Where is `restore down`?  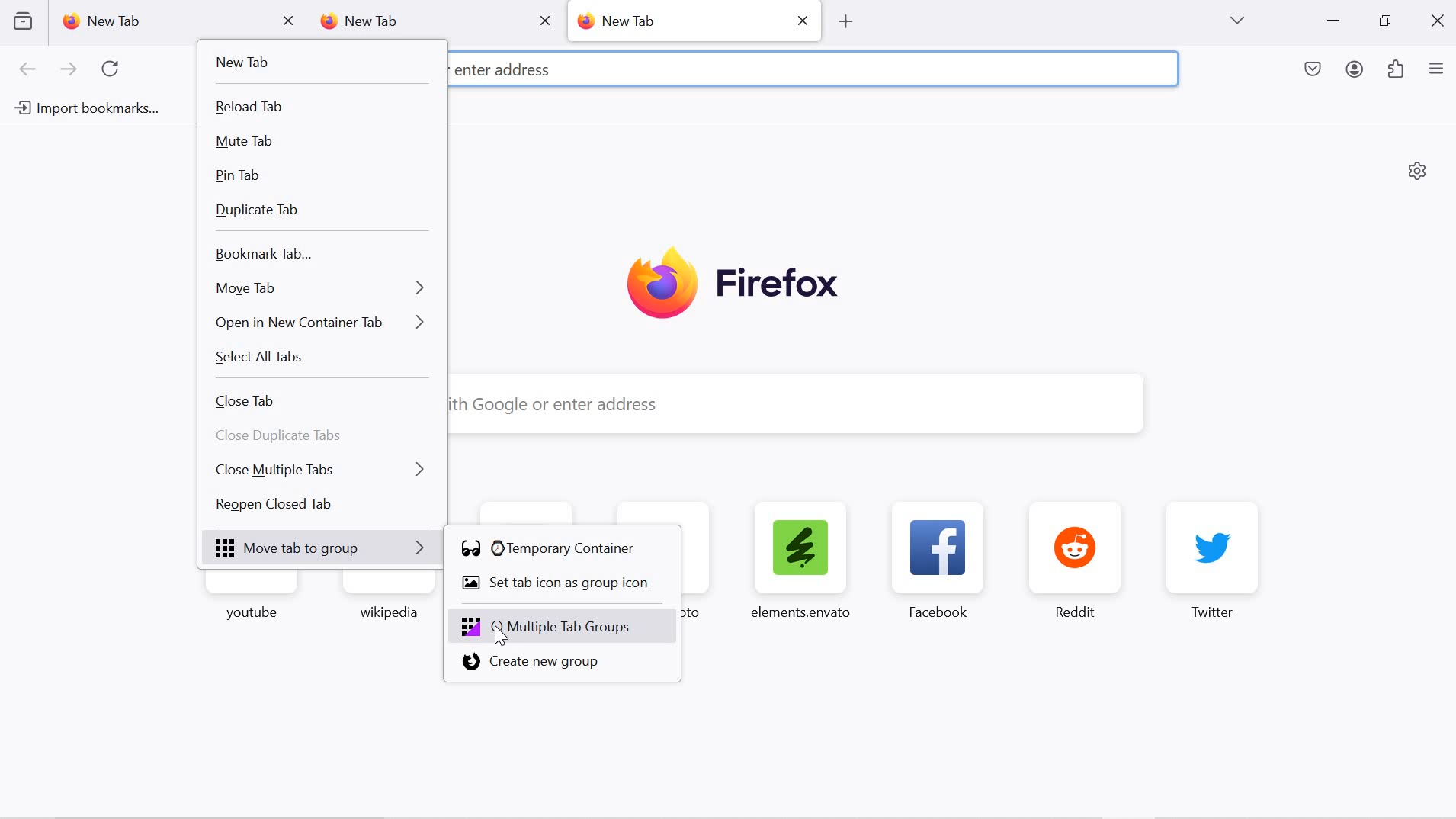 restore down is located at coordinates (1384, 21).